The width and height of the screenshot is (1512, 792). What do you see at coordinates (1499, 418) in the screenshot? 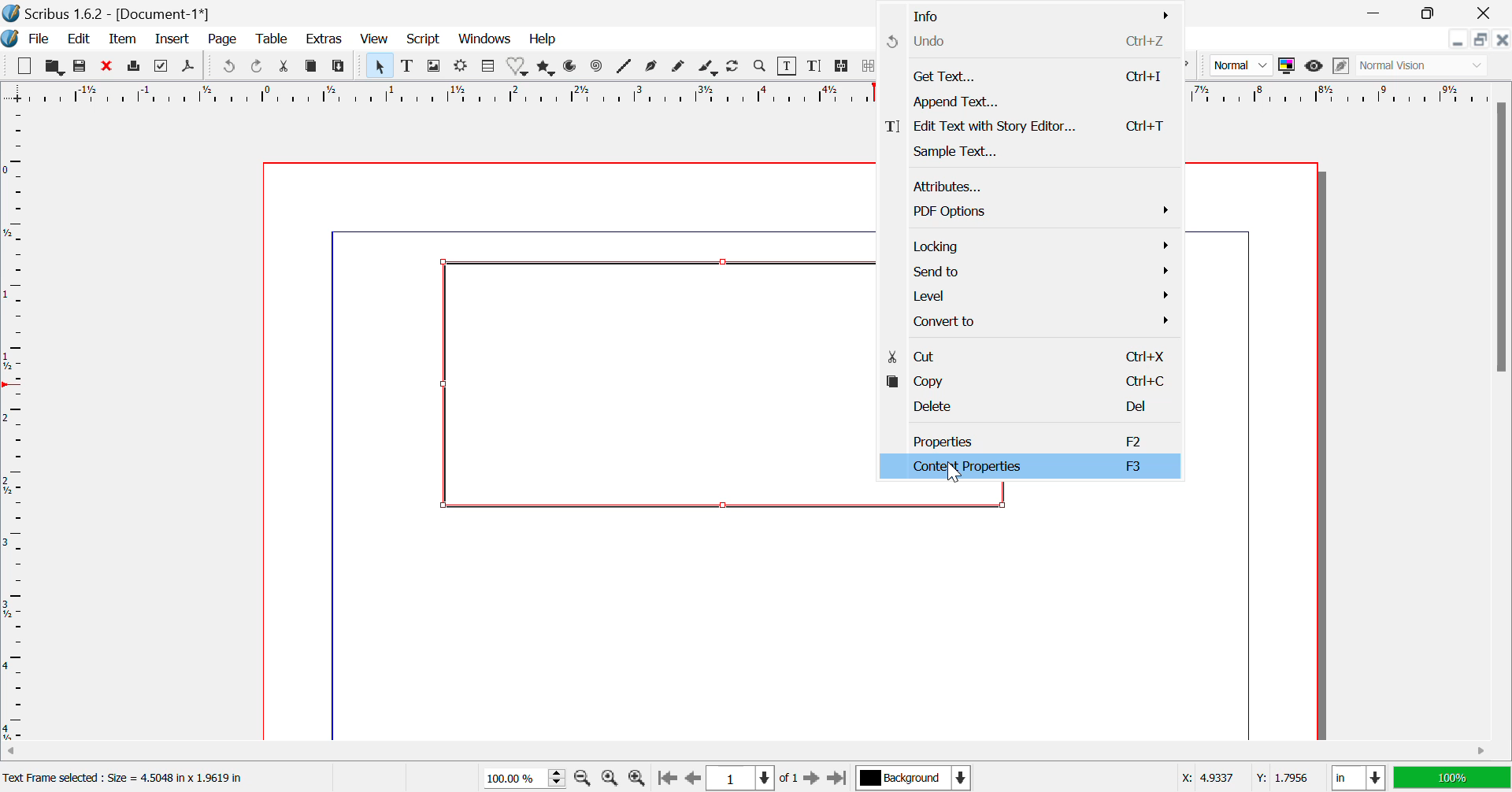
I see `Vertical Scroll Bar` at bounding box center [1499, 418].